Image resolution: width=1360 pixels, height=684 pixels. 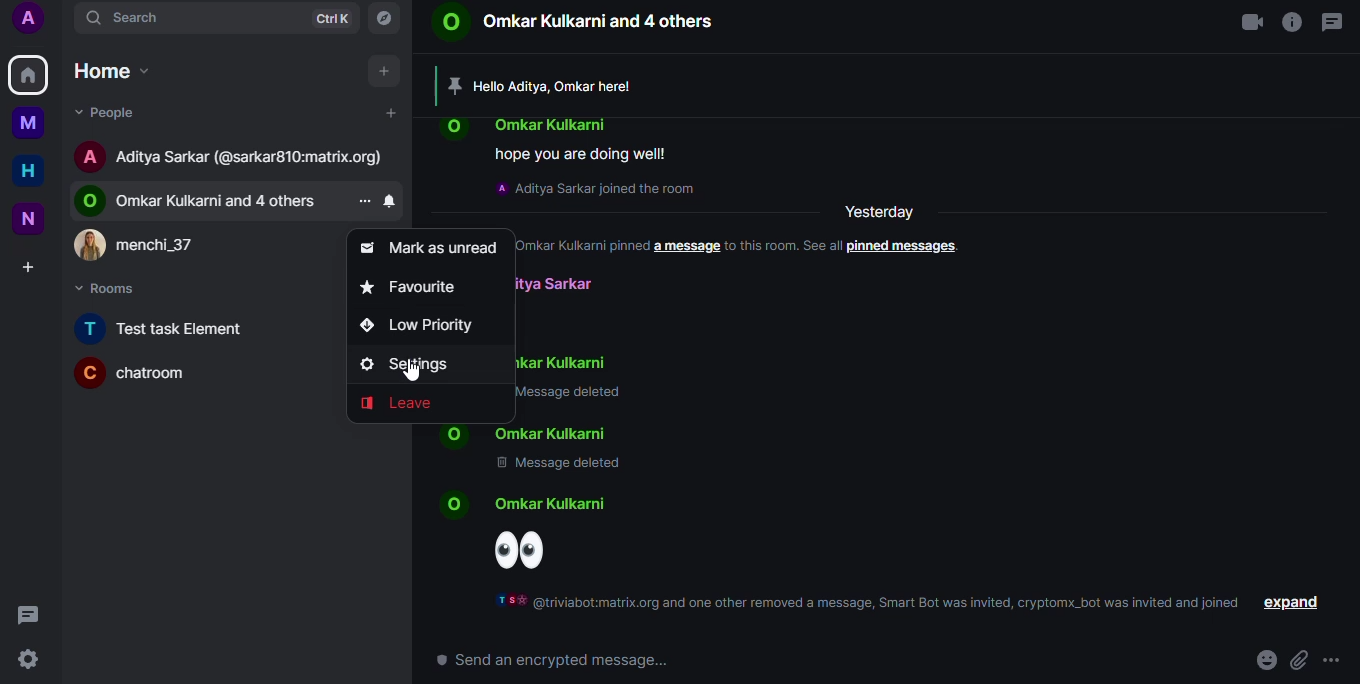 What do you see at coordinates (253, 158) in the screenshot?
I see `A Aditya Sarkar (@sarkar810:matrix.org)` at bounding box center [253, 158].